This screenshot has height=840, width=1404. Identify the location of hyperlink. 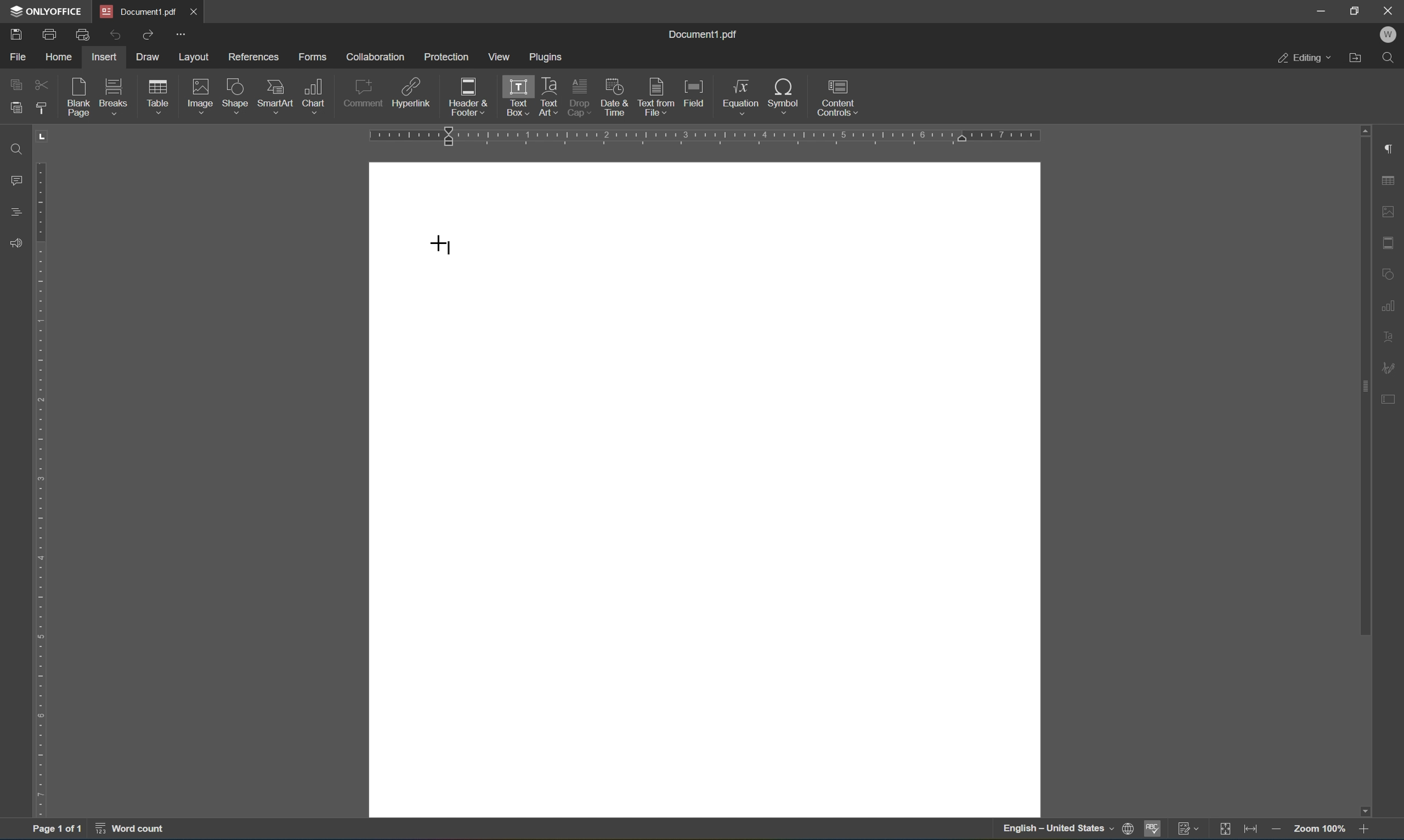
(412, 95).